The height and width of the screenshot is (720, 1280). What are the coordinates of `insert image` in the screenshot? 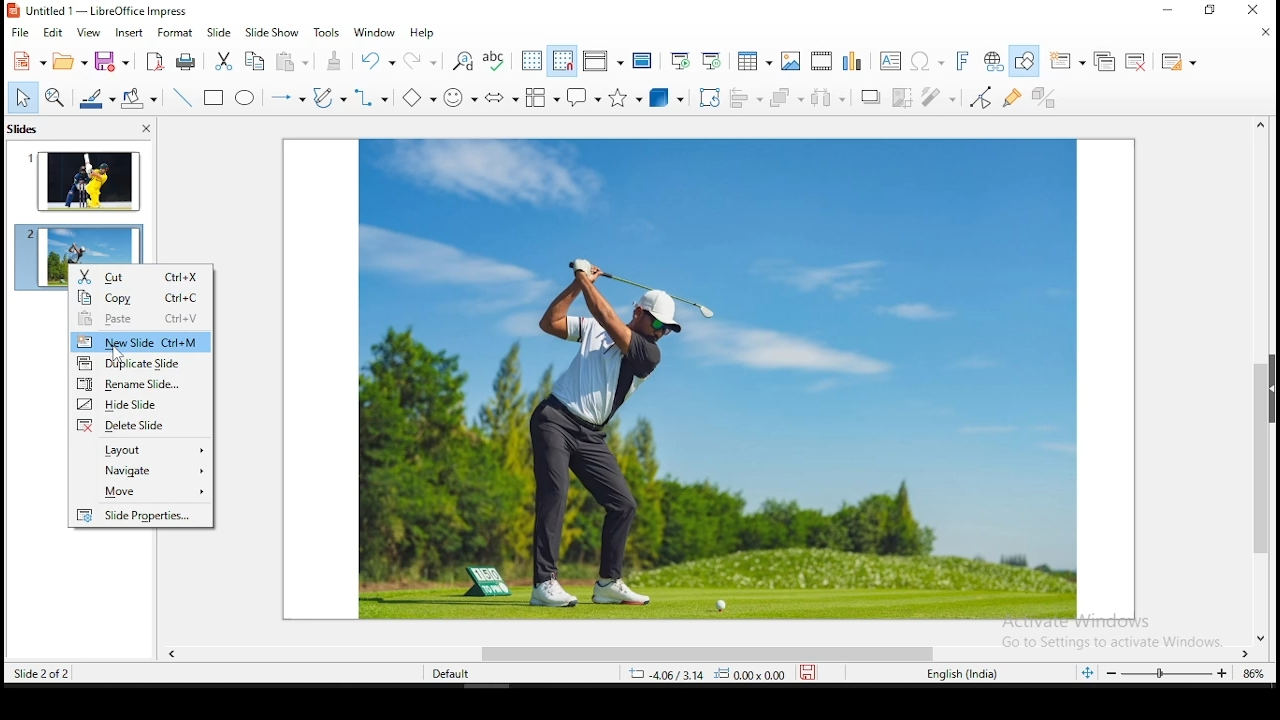 It's located at (791, 60).